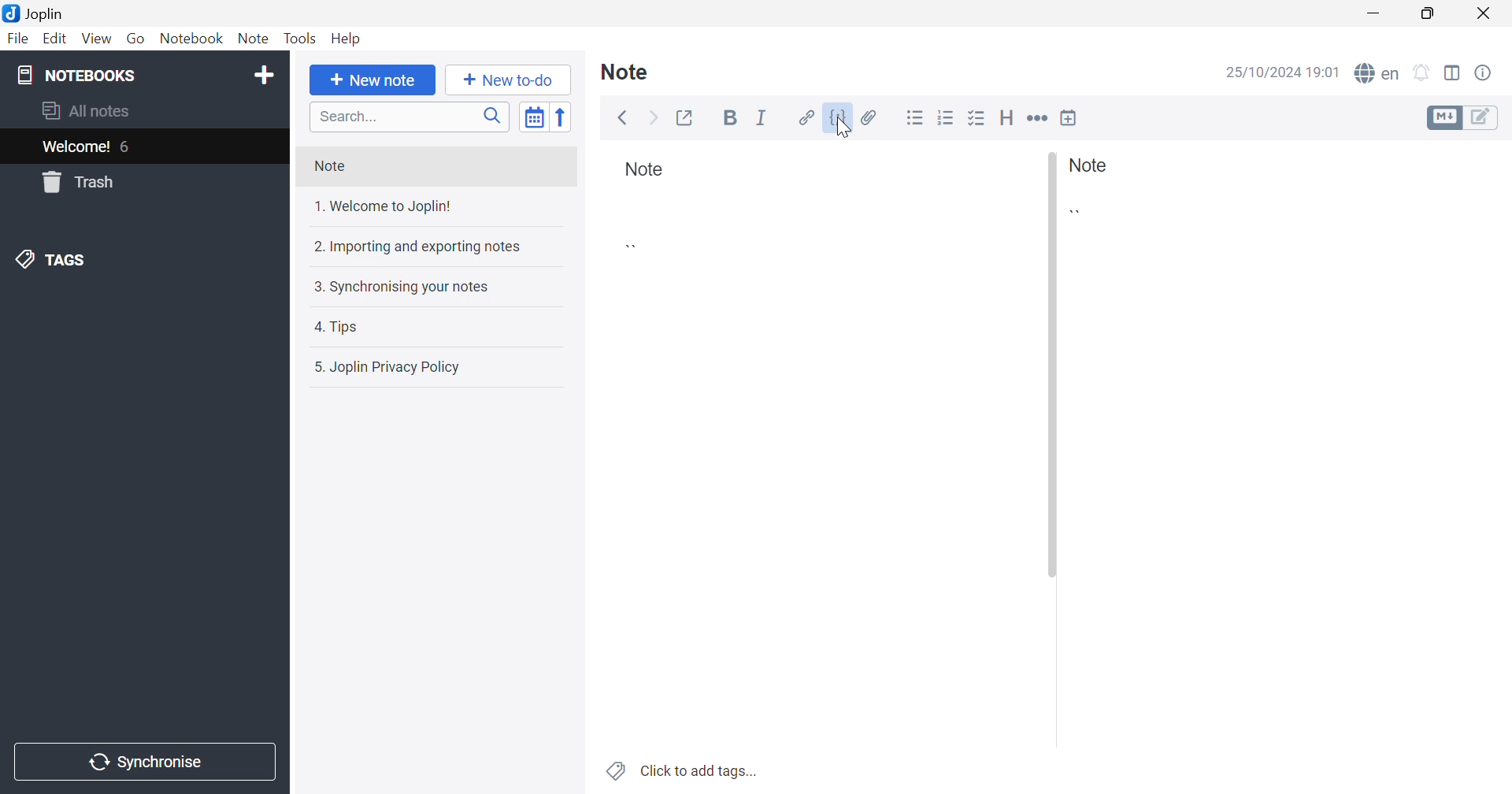  What do you see at coordinates (1264, 73) in the screenshot?
I see `25/10/2024` at bounding box center [1264, 73].